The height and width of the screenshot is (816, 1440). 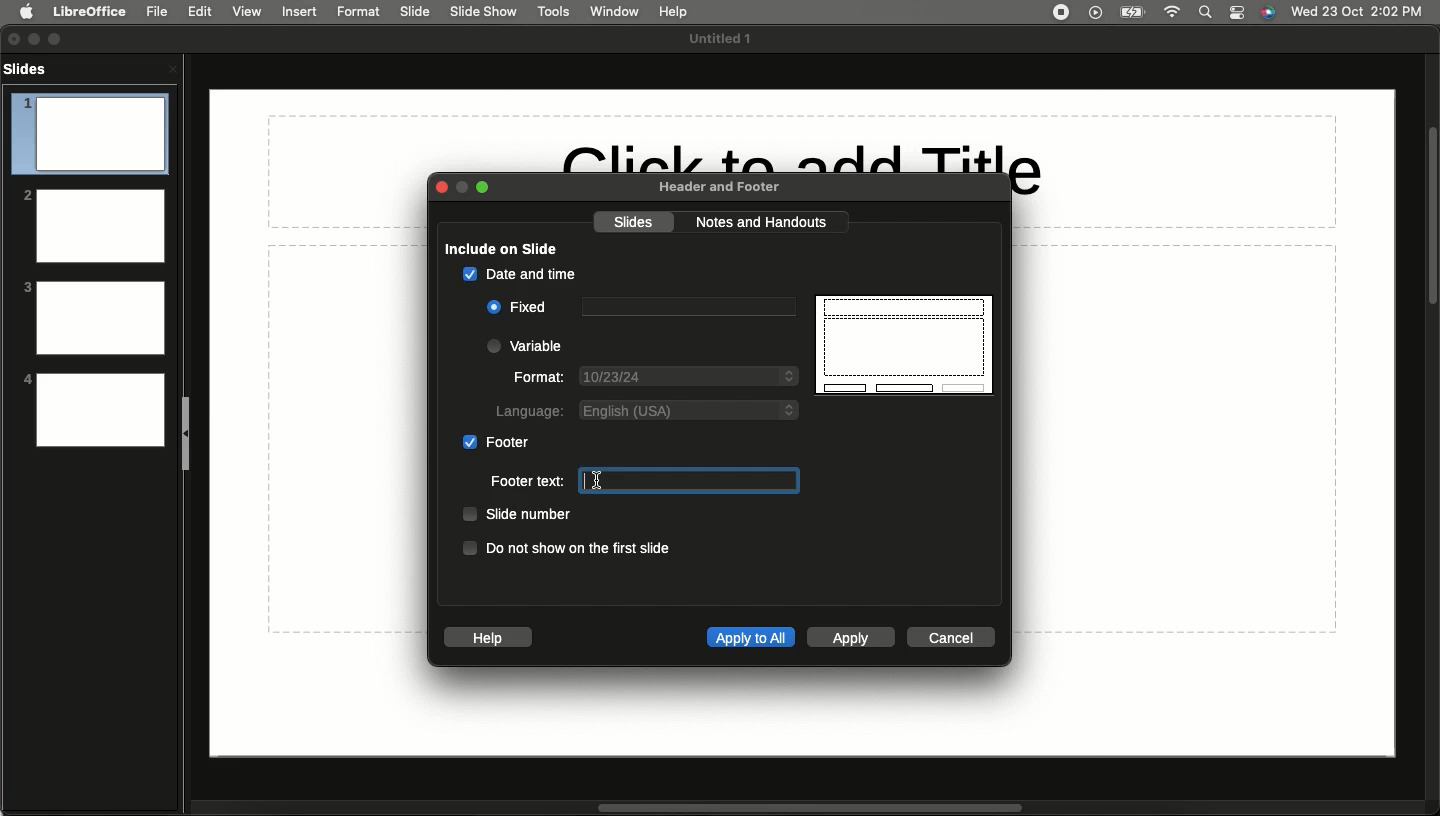 What do you see at coordinates (849, 638) in the screenshot?
I see `Apply` at bounding box center [849, 638].